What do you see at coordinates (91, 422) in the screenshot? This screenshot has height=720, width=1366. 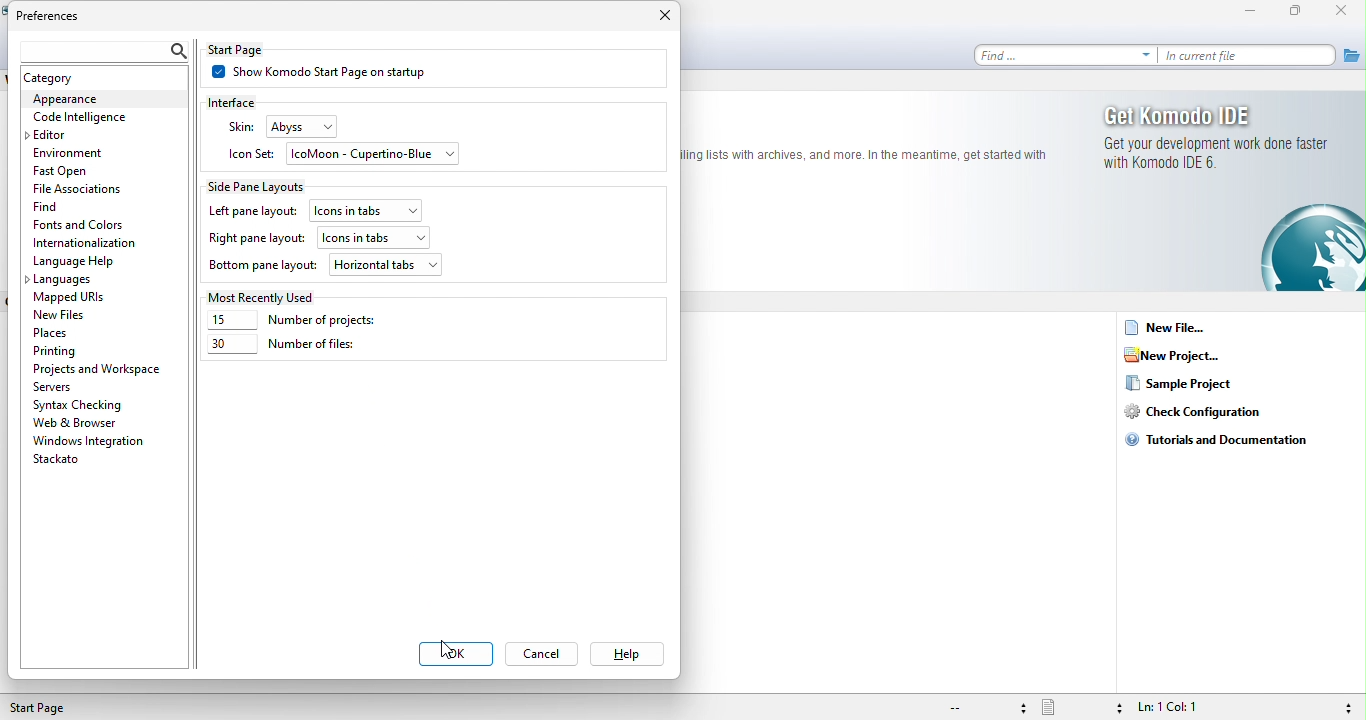 I see `web and browser` at bounding box center [91, 422].